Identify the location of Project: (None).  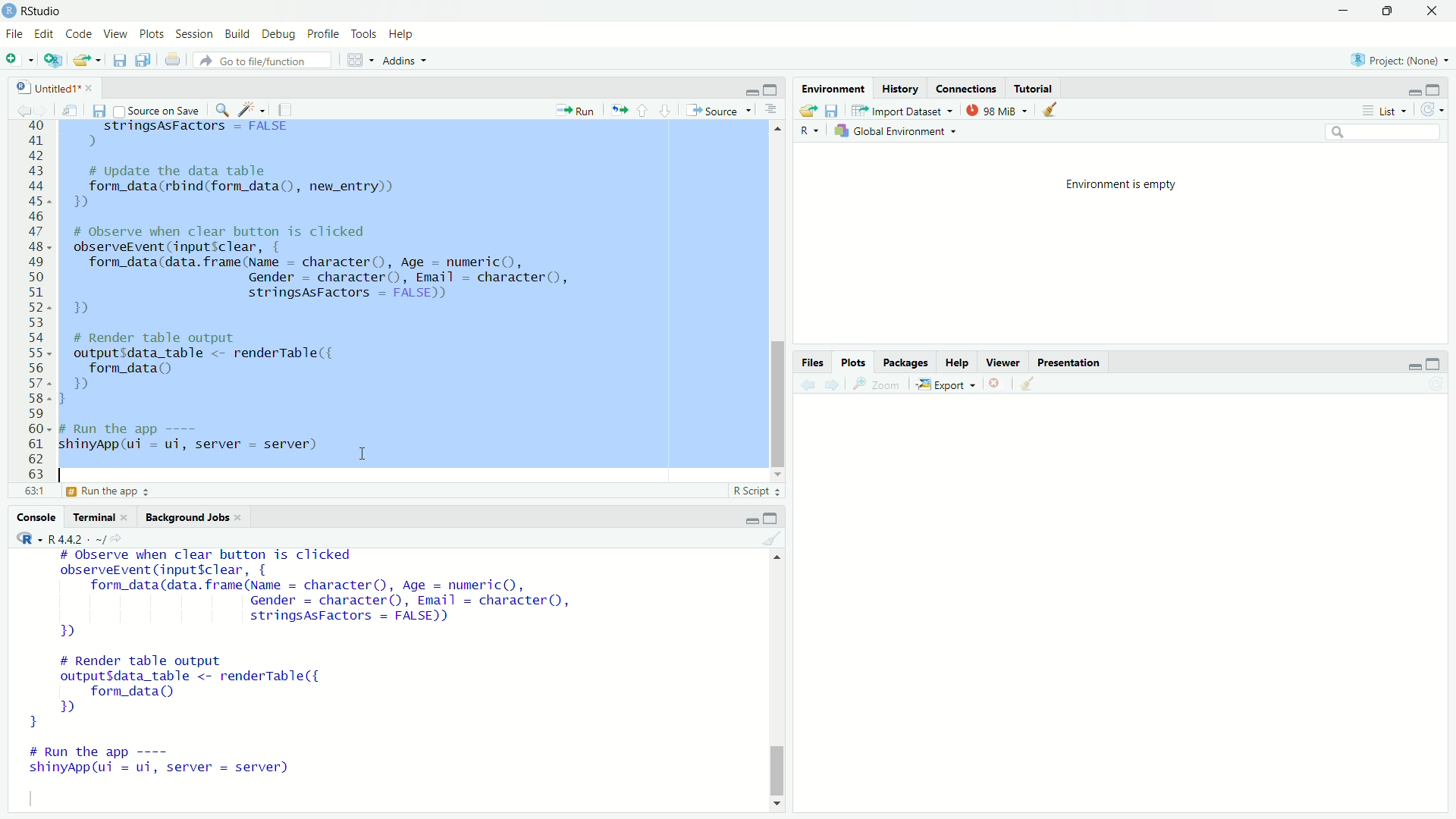
(1401, 60).